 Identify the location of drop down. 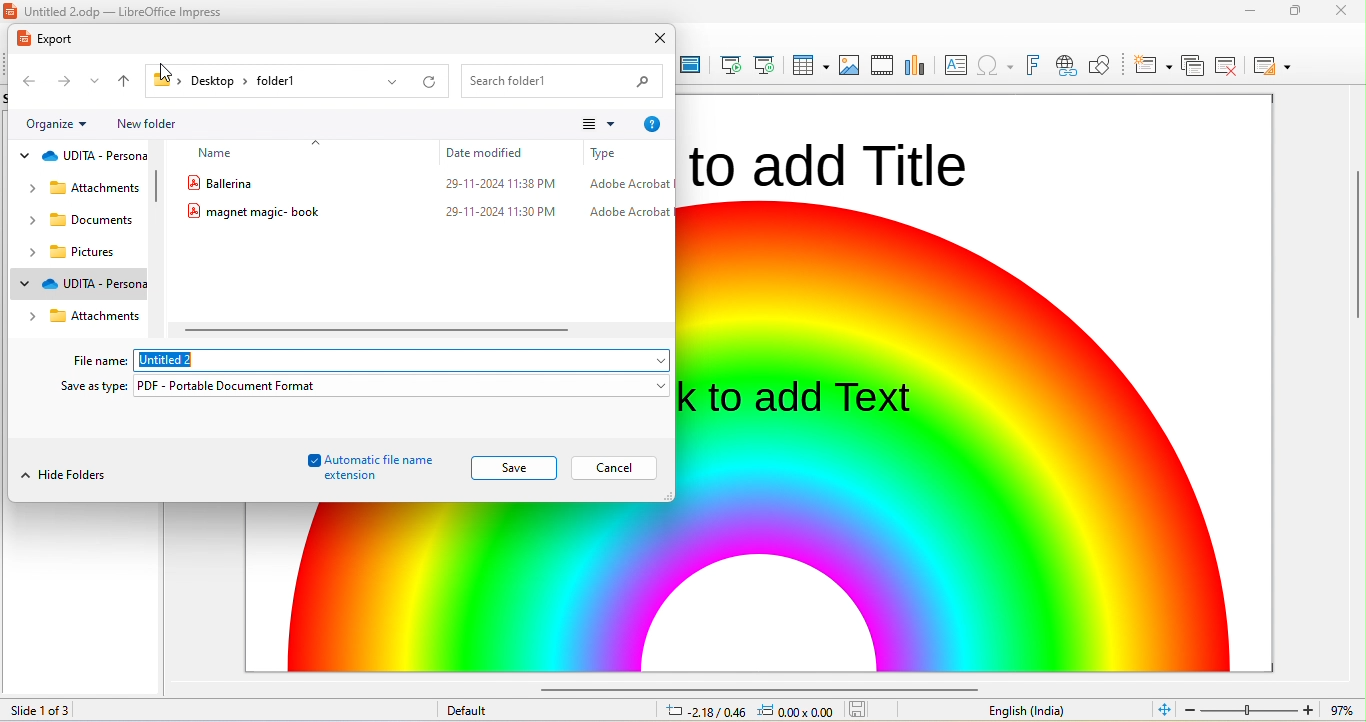
(320, 140).